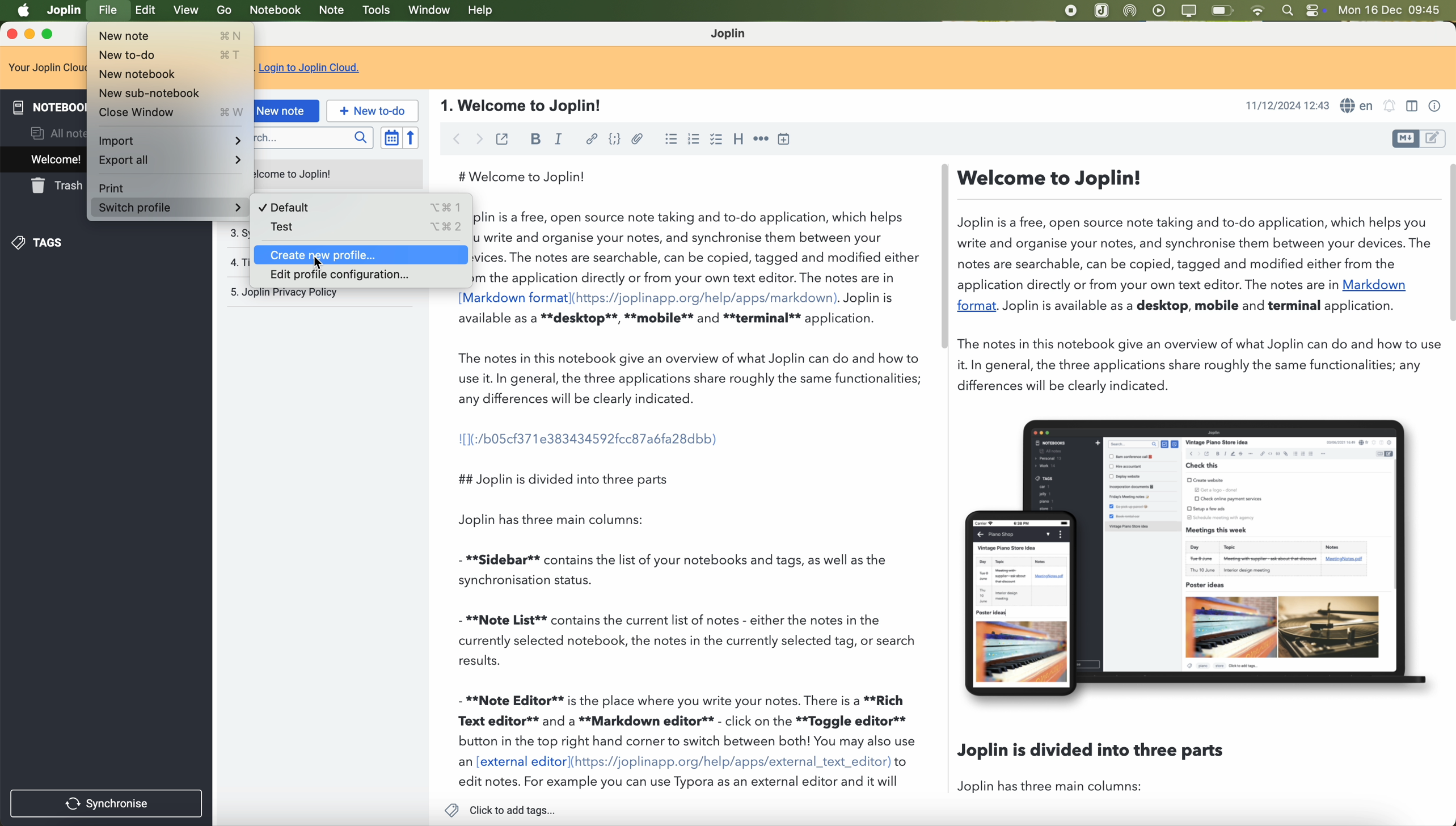  Describe the element at coordinates (1223, 10) in the screenshot. I see `battery` at that location.